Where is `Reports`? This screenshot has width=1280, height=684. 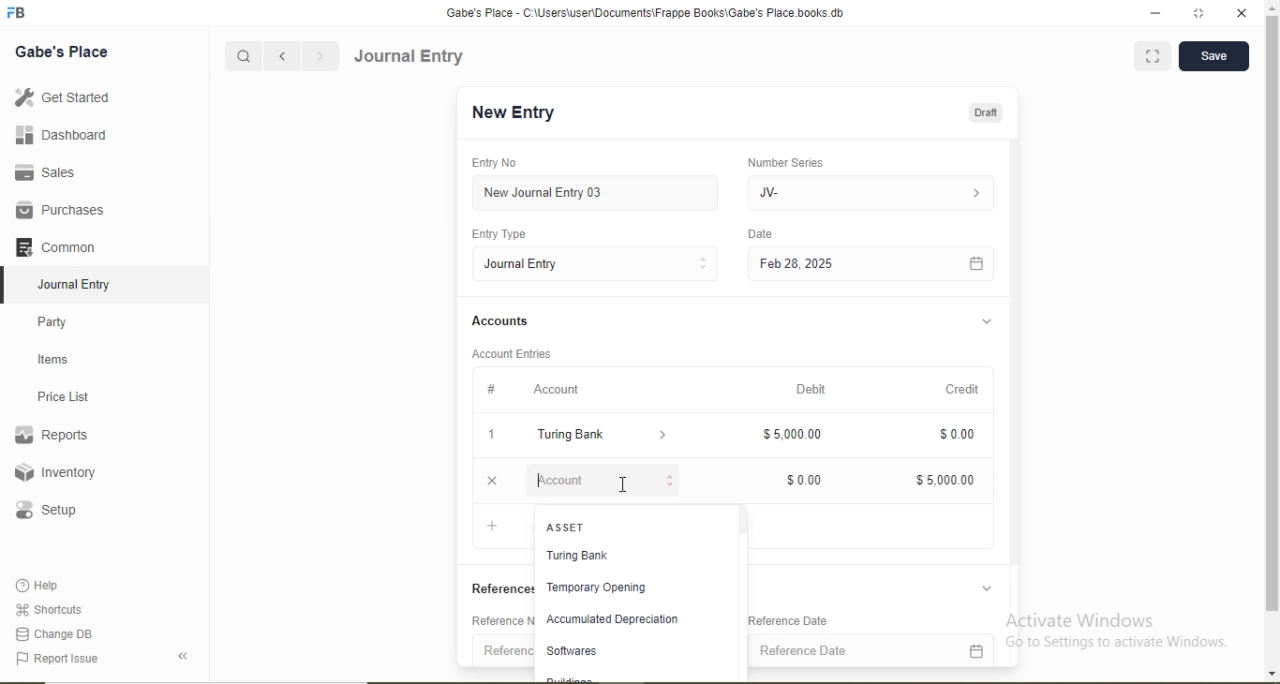 Reports is located at coordinates (51, 435).